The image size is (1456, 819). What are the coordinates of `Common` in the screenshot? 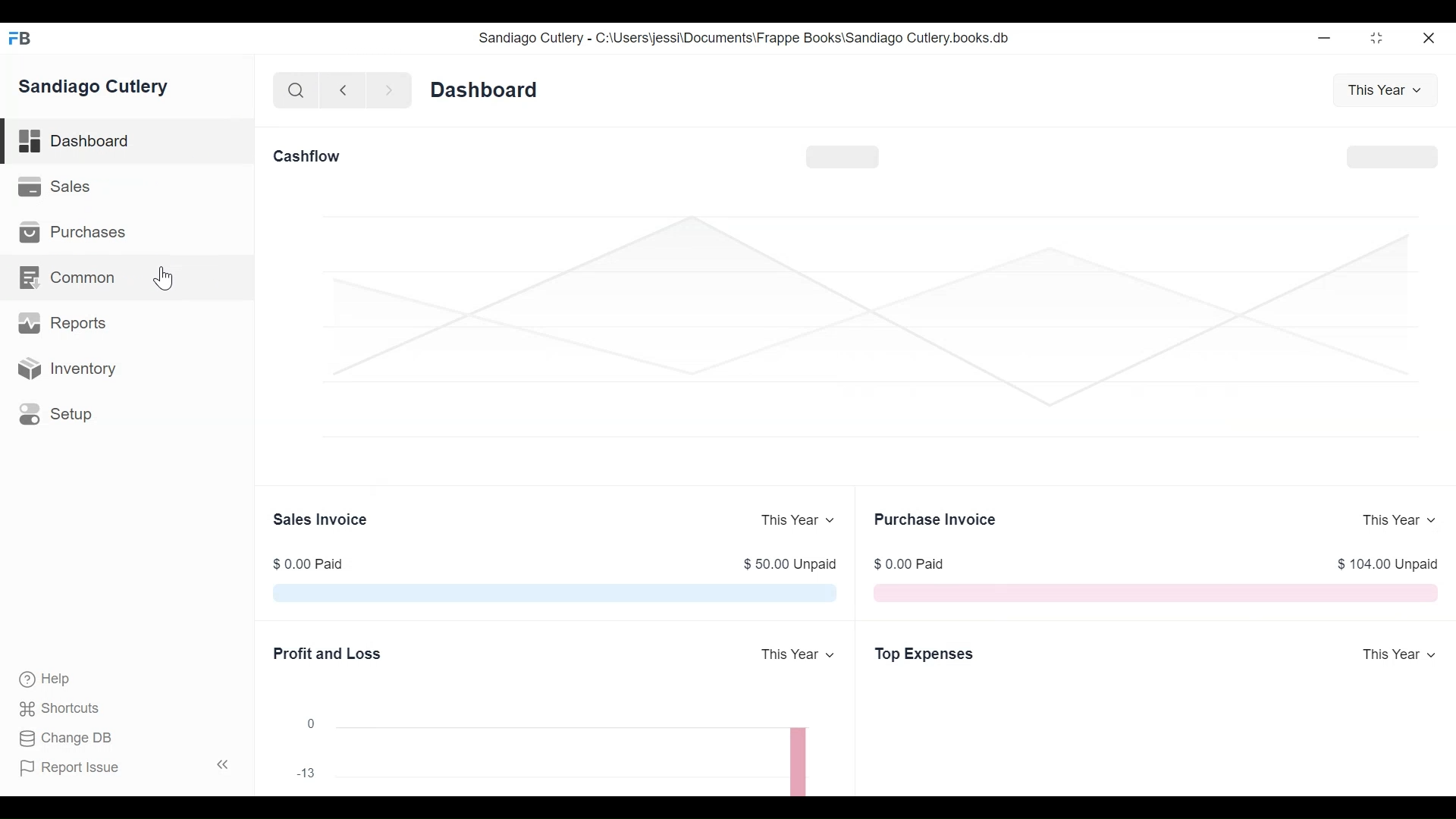 It's located at (80, 278).